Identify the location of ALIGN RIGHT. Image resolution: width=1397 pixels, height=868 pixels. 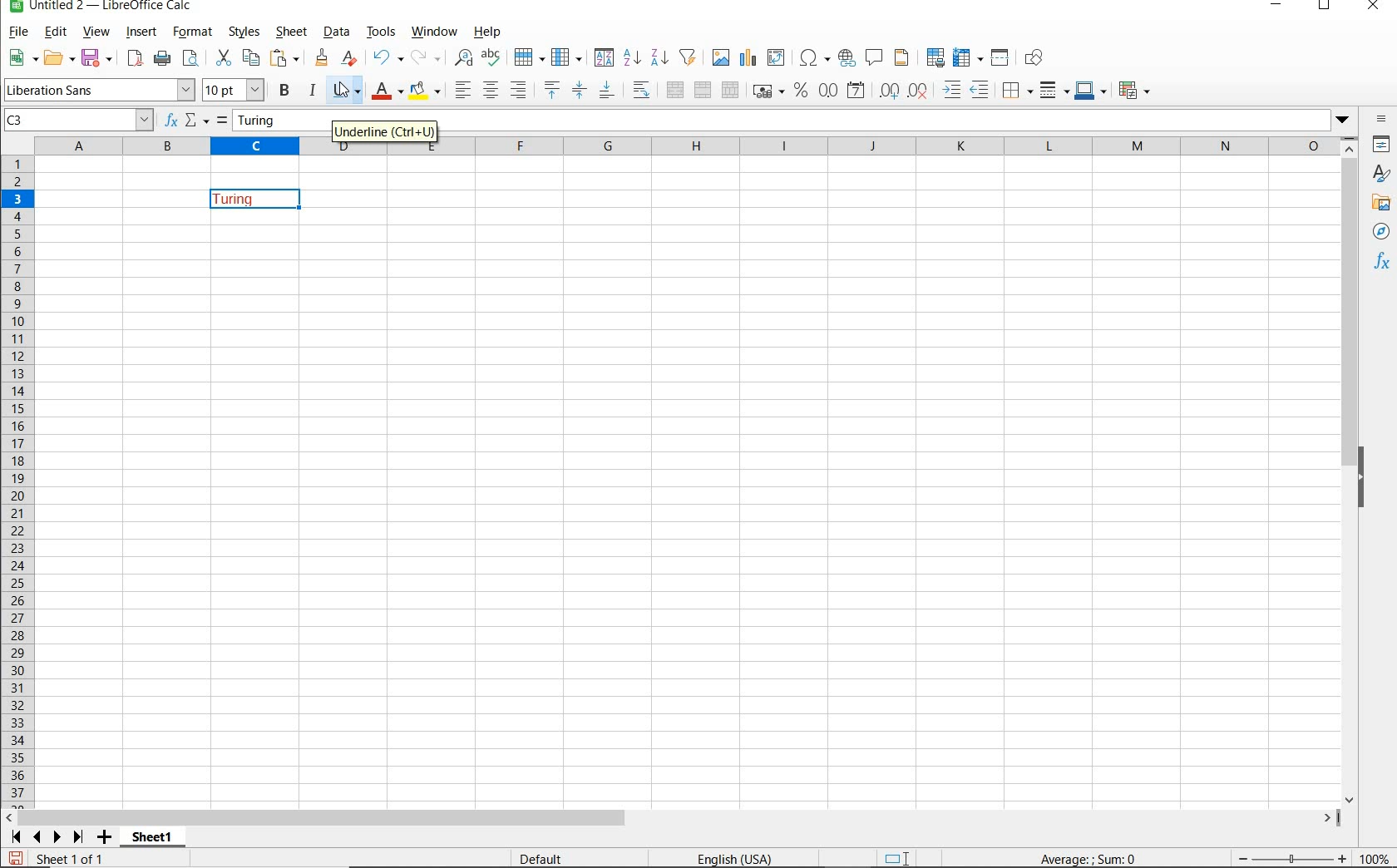
(518, 91).